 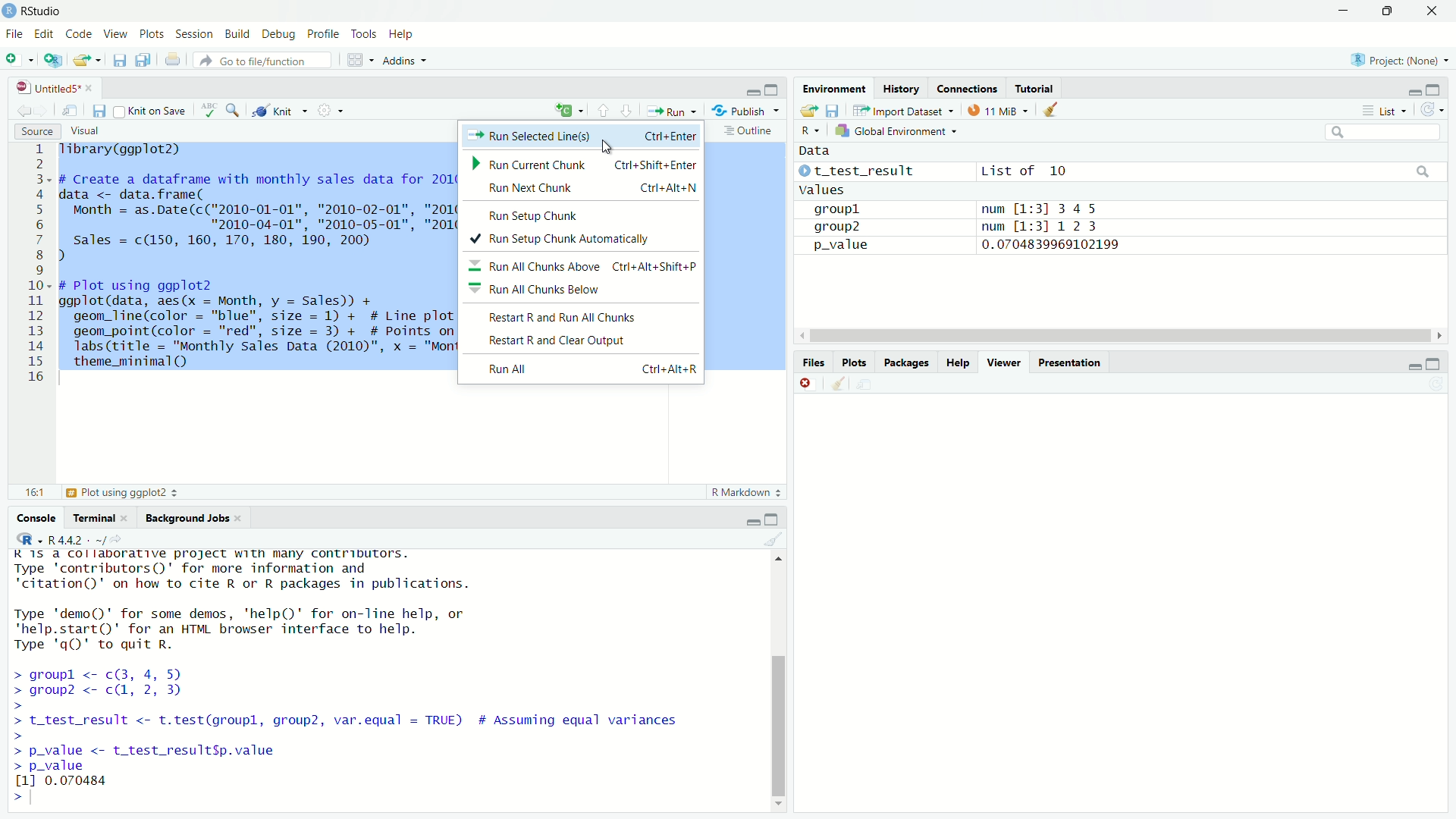 I want to click on File, so click(x=14, y=31).